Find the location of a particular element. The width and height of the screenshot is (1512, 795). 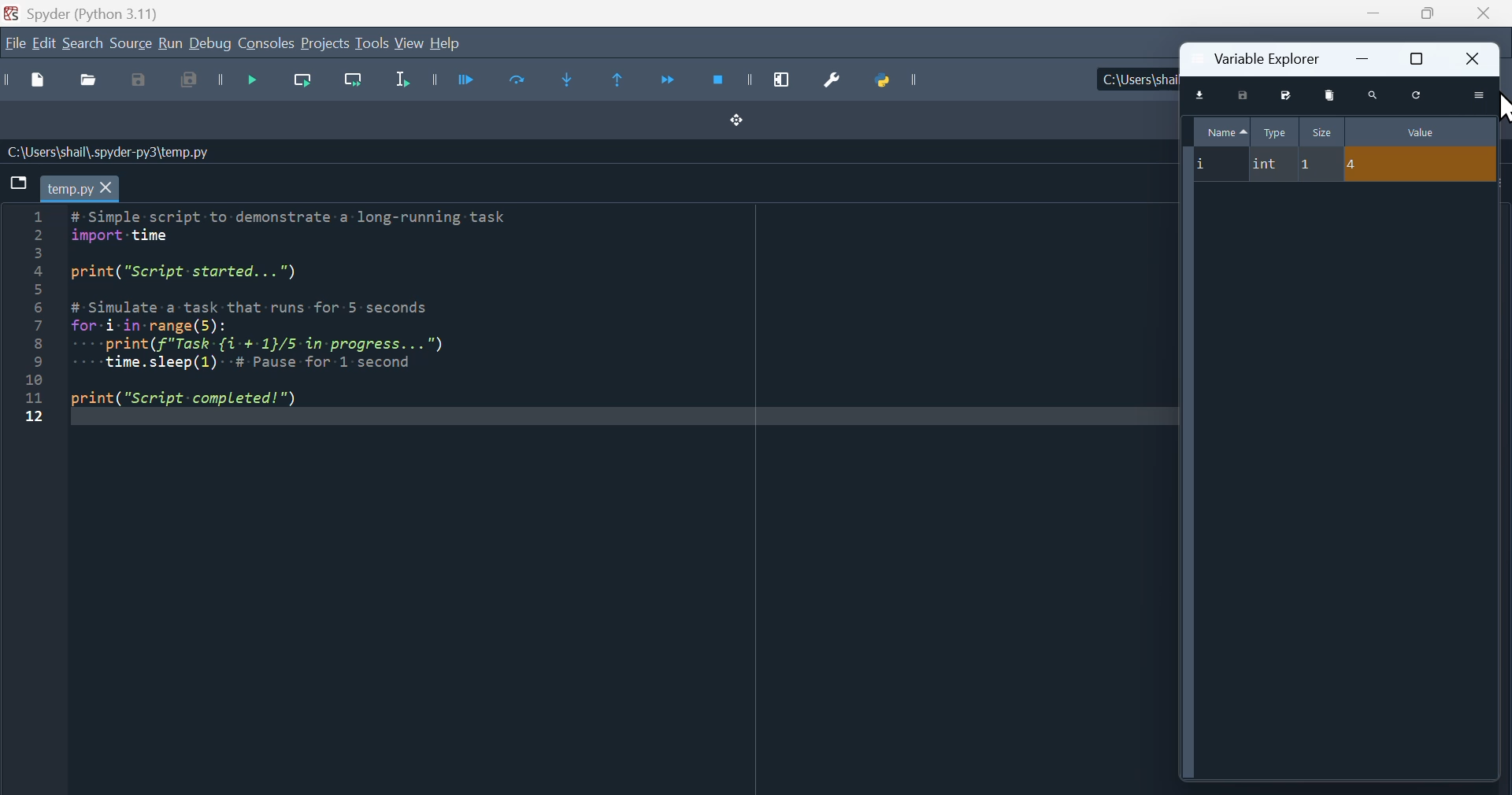

search variable names and types is located at coordinates (1375, 94).